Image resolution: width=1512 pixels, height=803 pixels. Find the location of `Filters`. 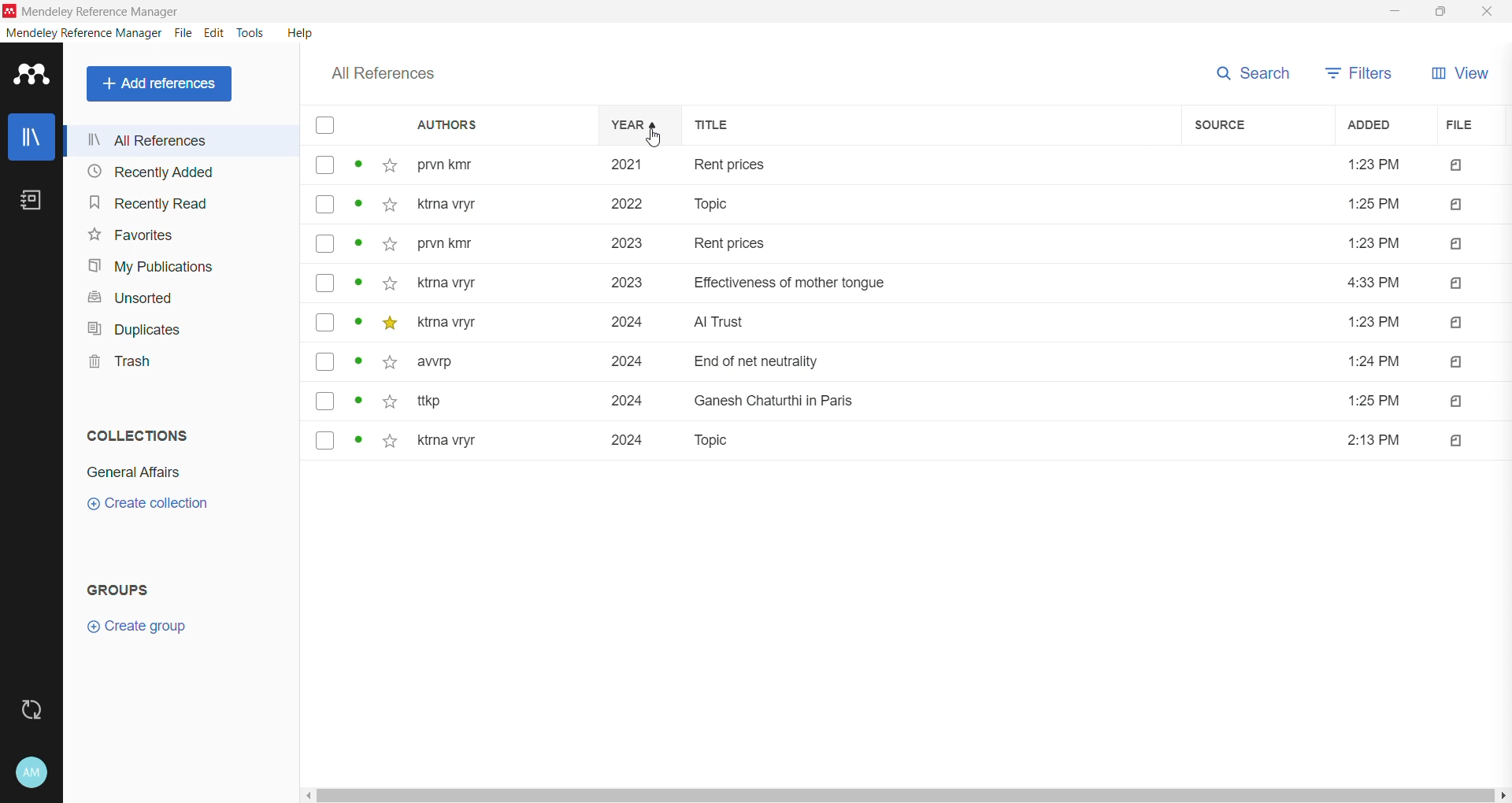

Filters is located at coordinates (1361, 73).